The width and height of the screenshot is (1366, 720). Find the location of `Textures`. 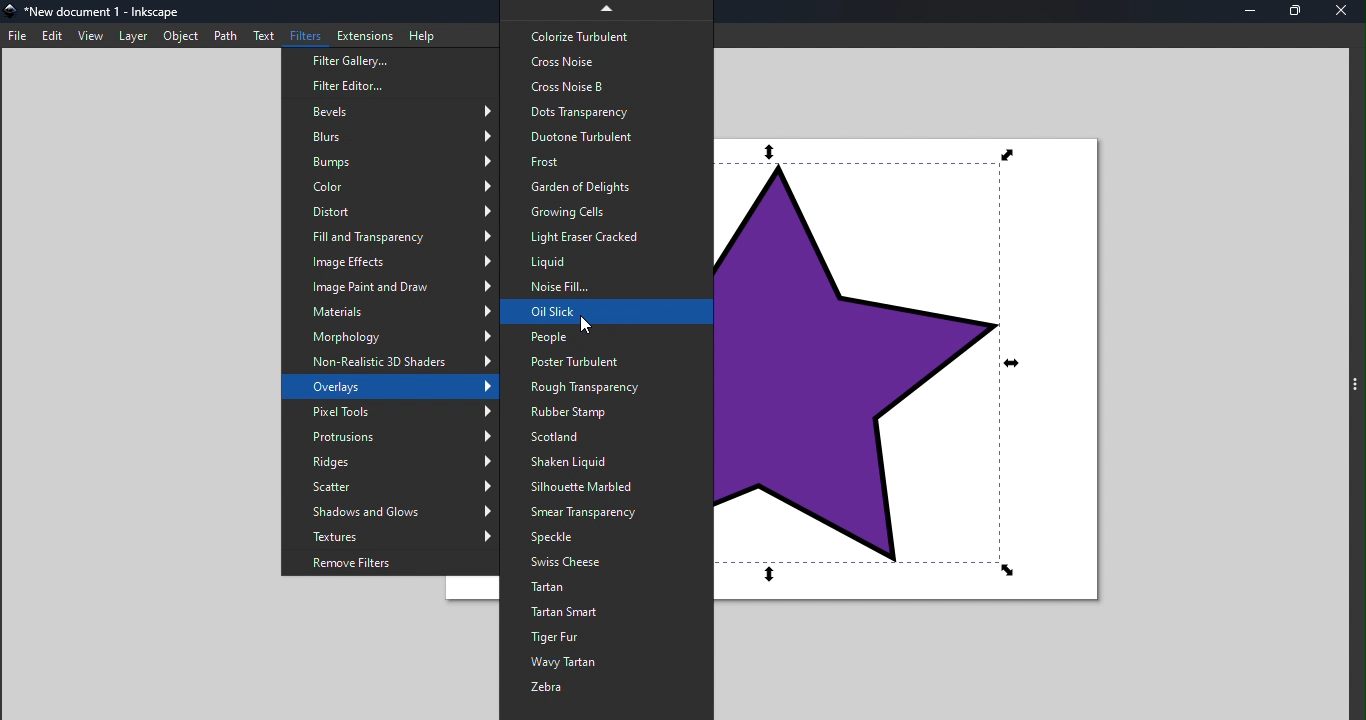

Textures is located at coordinates (390, 538).